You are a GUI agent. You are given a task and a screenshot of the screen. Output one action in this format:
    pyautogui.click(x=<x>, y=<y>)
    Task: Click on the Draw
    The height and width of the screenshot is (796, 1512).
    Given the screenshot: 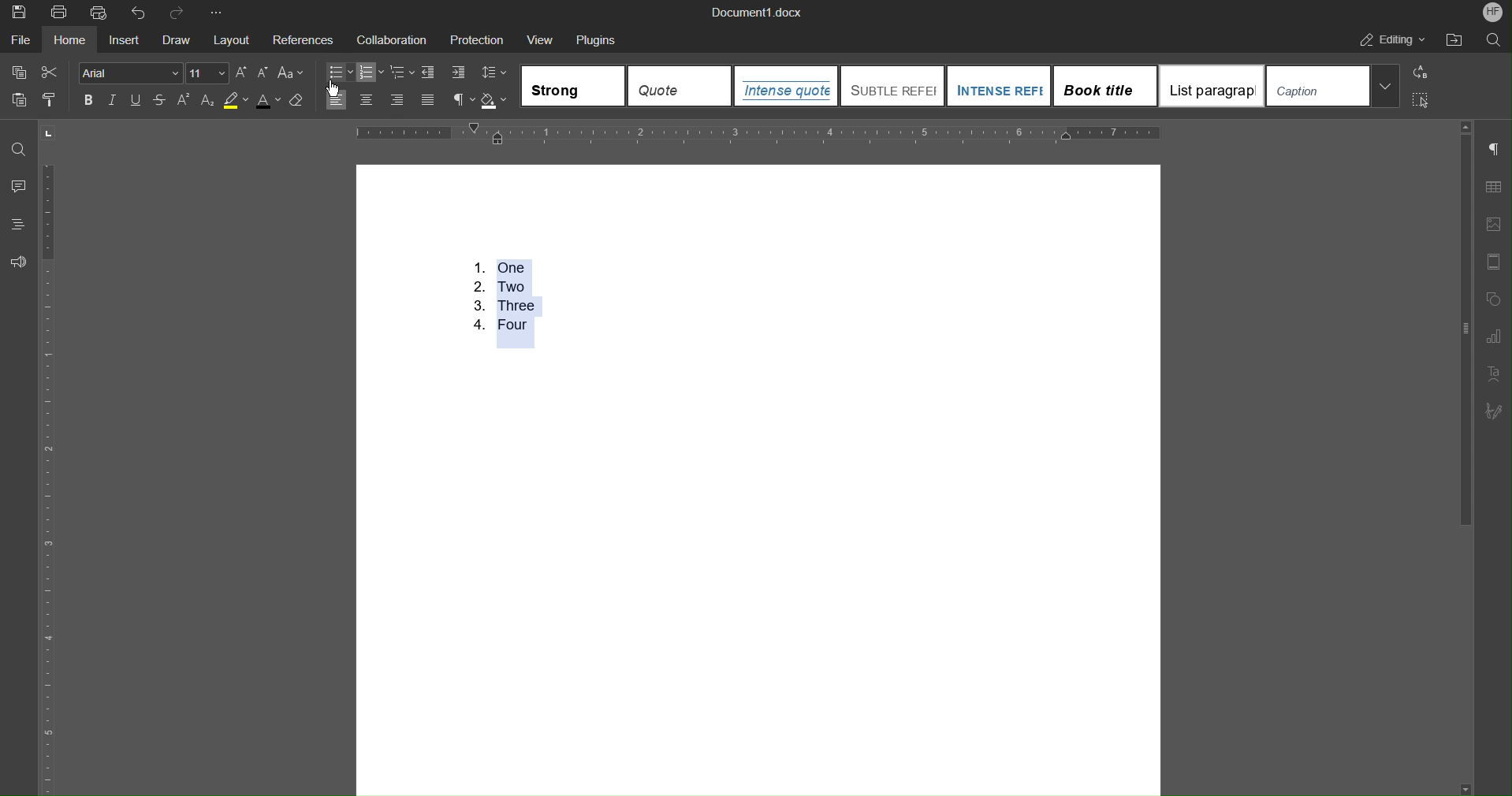 What is the action you would take?
    pyautogui.click(x=177, y=37)
    